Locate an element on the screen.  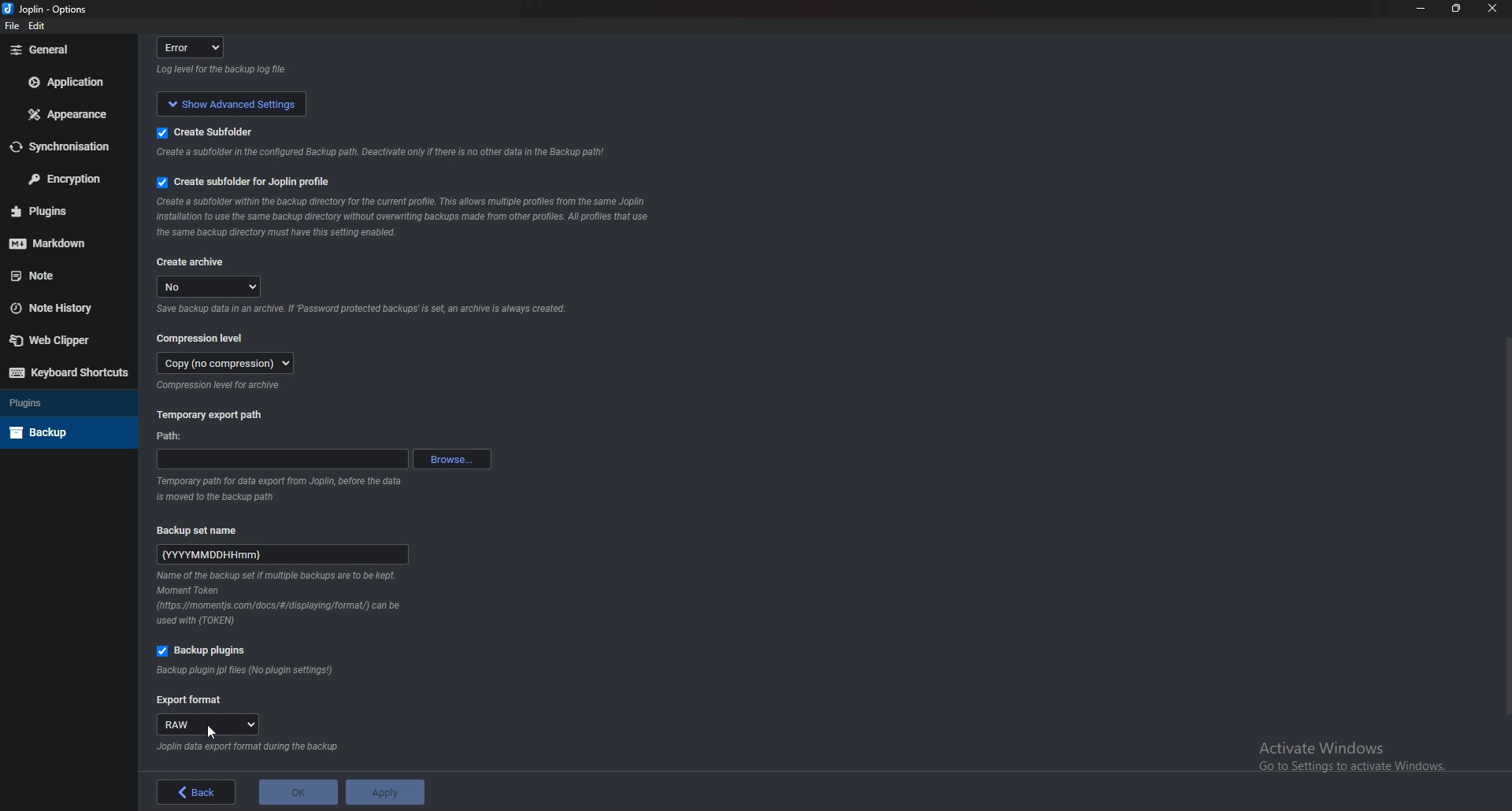
info is located at coordinates (224, 70).